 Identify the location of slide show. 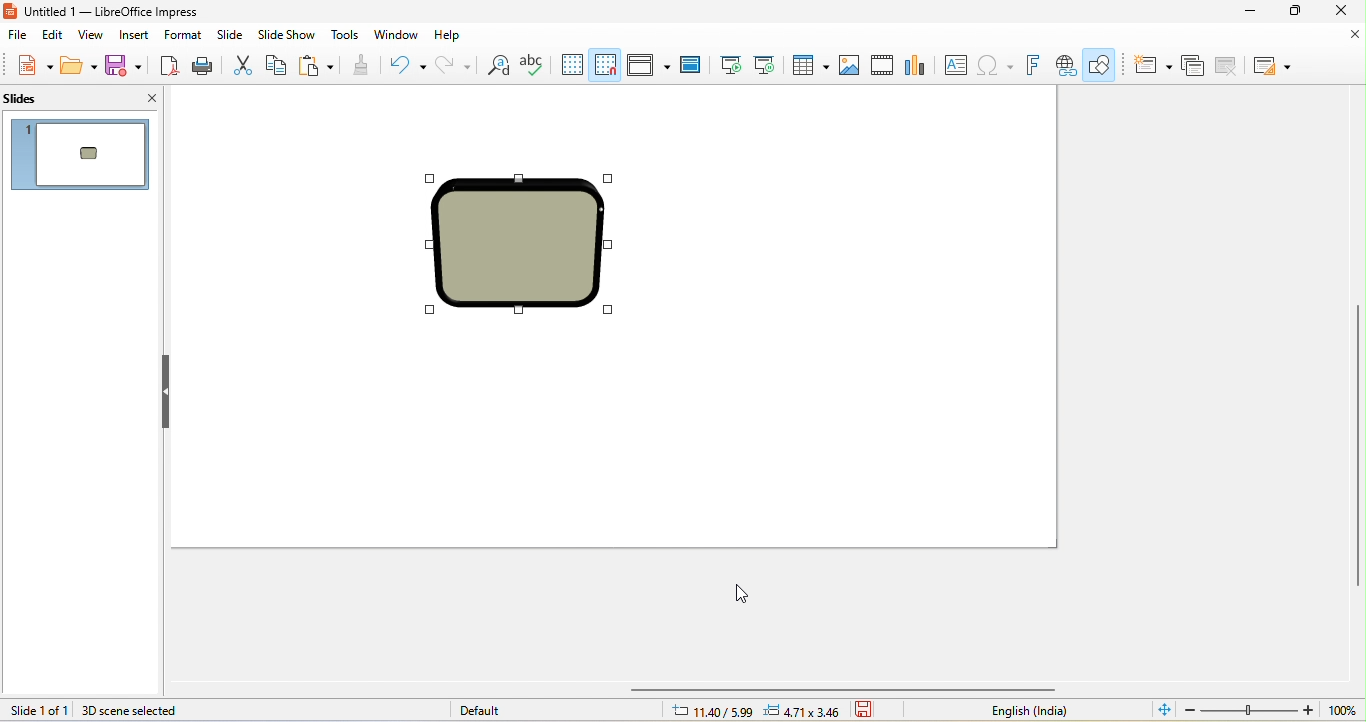
(289, 34).